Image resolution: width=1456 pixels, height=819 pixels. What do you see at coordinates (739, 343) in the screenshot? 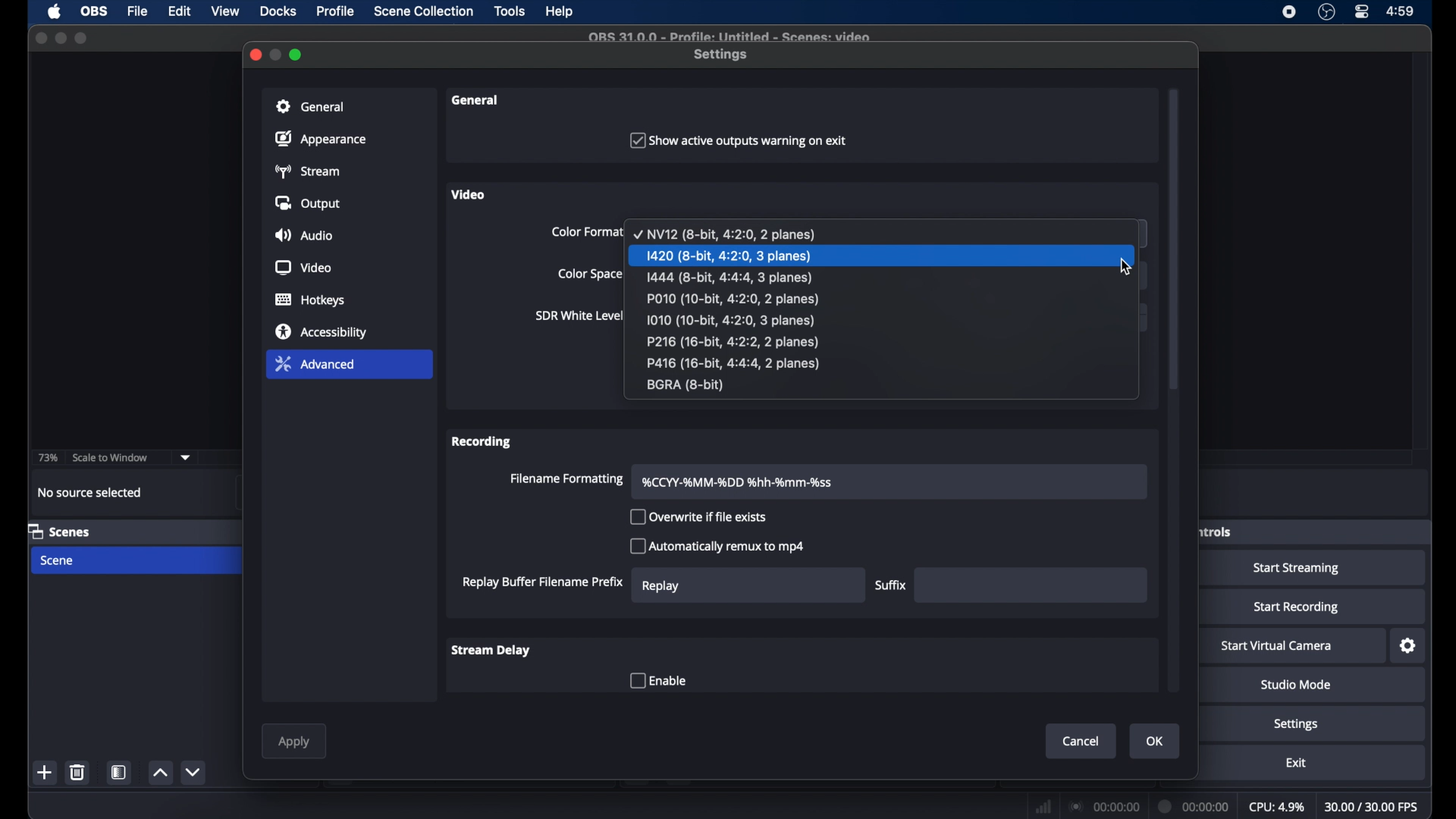
I see `P216 (16-bit, 4:2:2, 2 planes)` at bounding box center [739, 343].